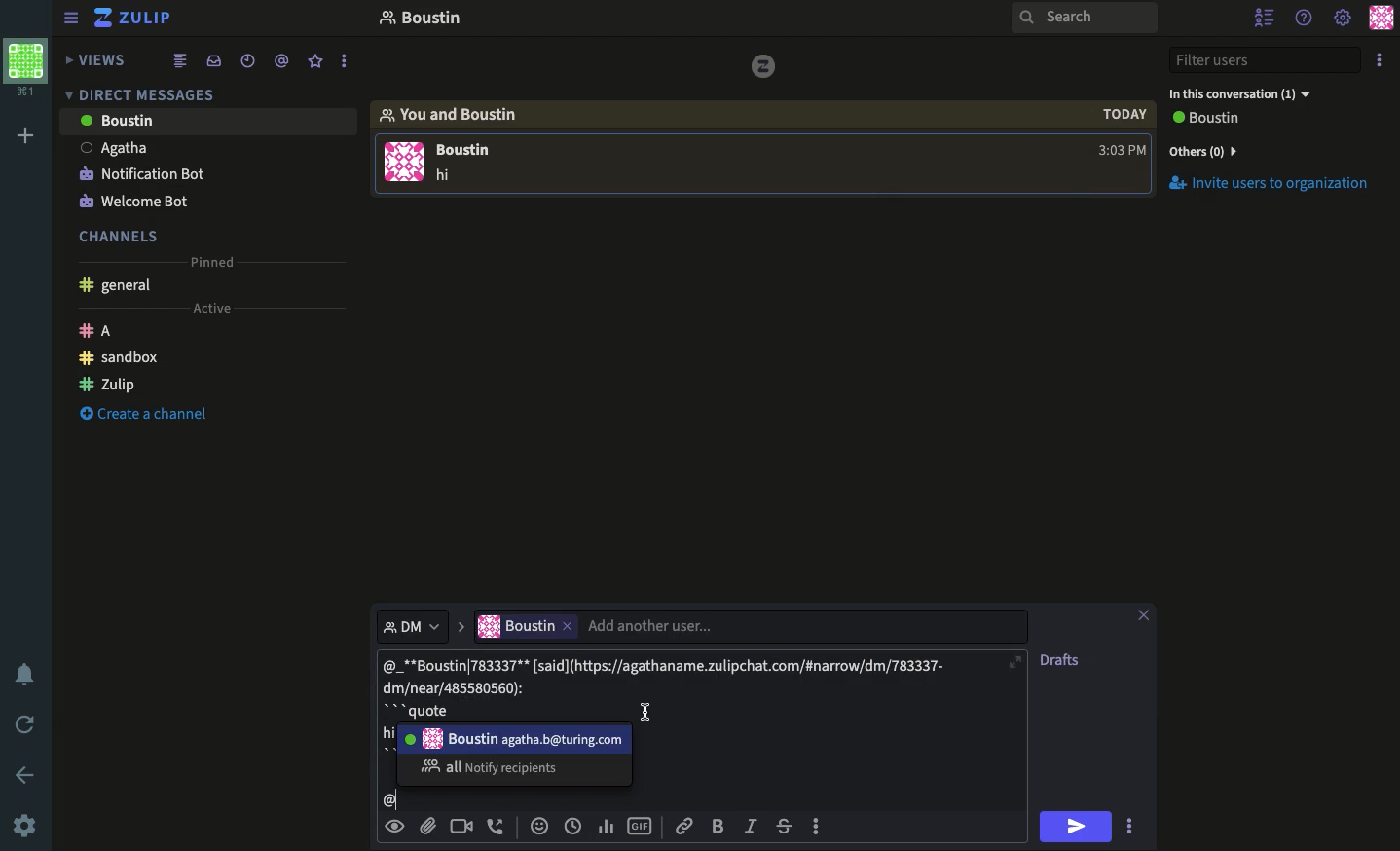 This screenshot has width=1400, height=851. Describe the element at coordinates (1278, 185) in the screenshot. I see `Invite users to organization` at that location.